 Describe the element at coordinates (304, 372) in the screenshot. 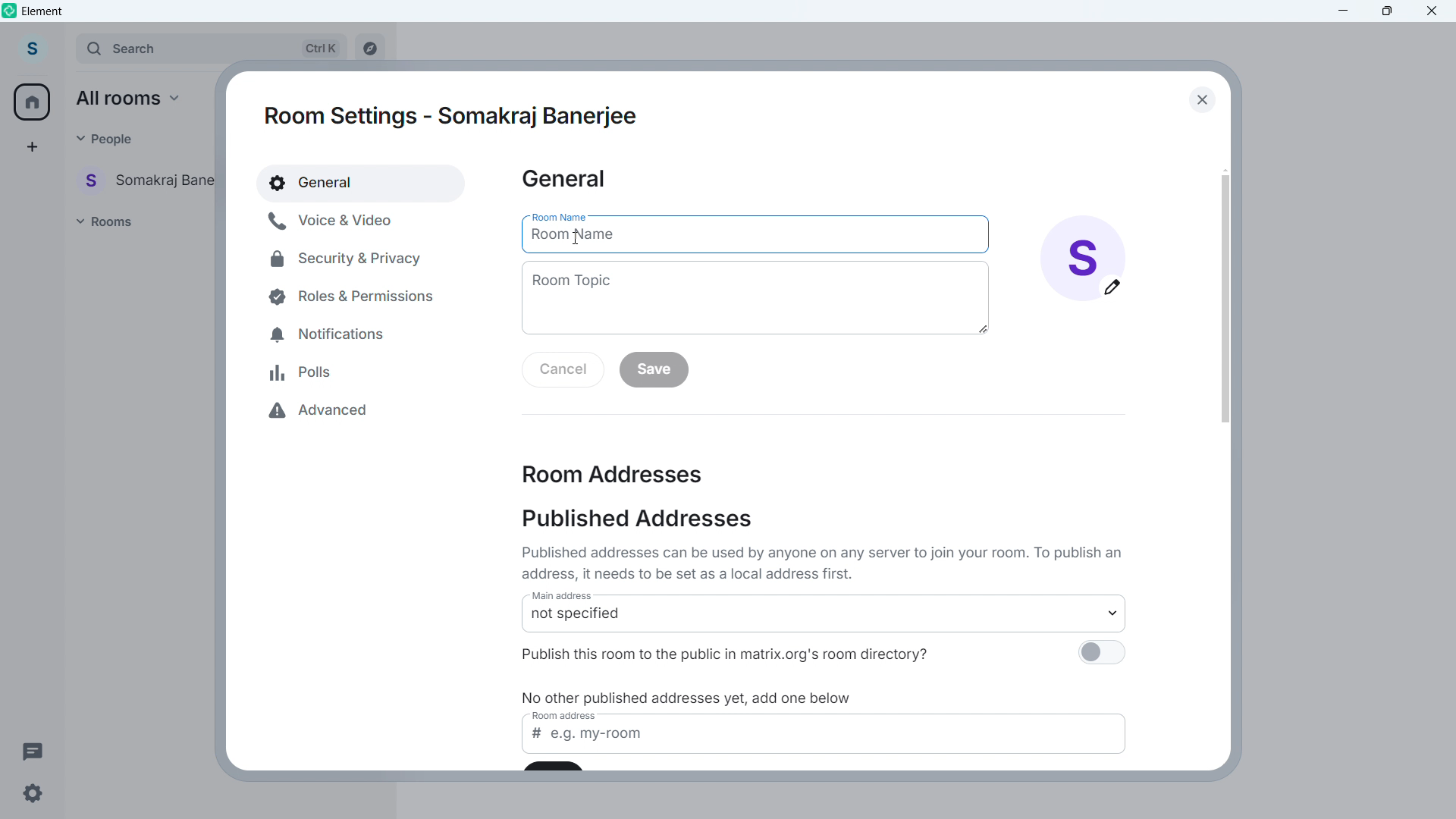

I see `Polls ` at that location.